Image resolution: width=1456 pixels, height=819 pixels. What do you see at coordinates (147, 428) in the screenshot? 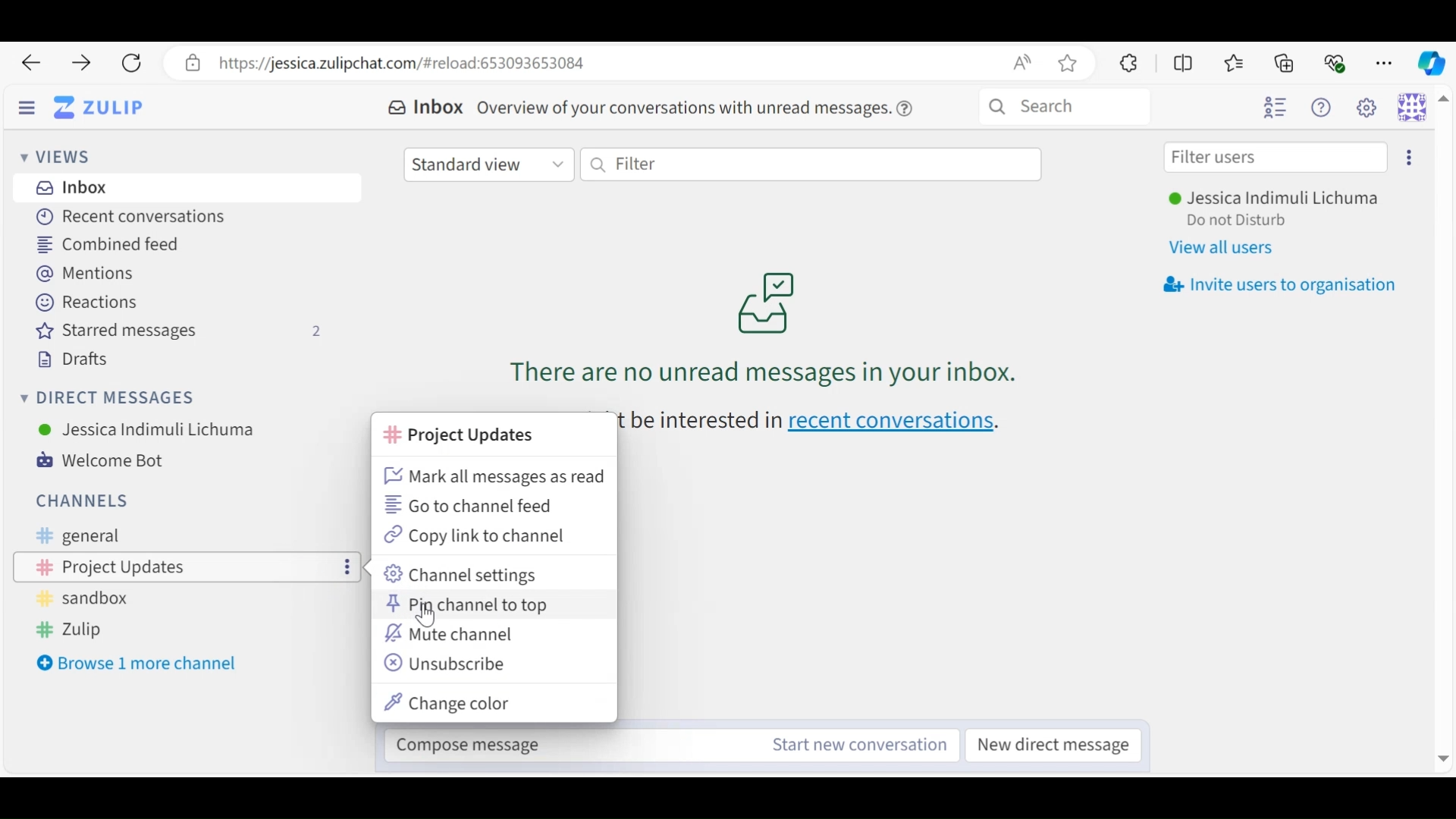
I see `Use` at bounding box center [147, 428].